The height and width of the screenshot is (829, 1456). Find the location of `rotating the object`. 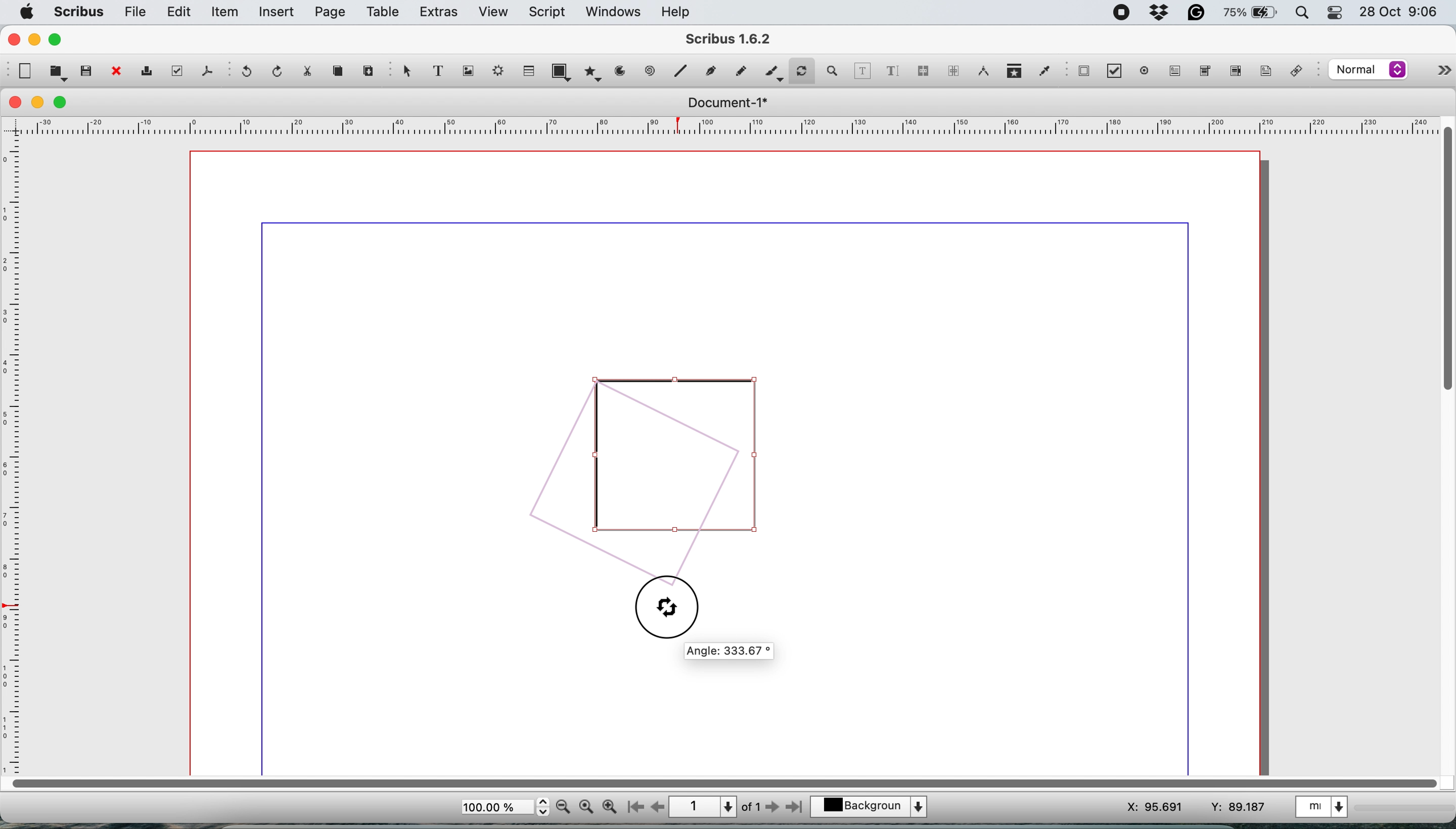

rotating the object is located at coordinates (646, 472).